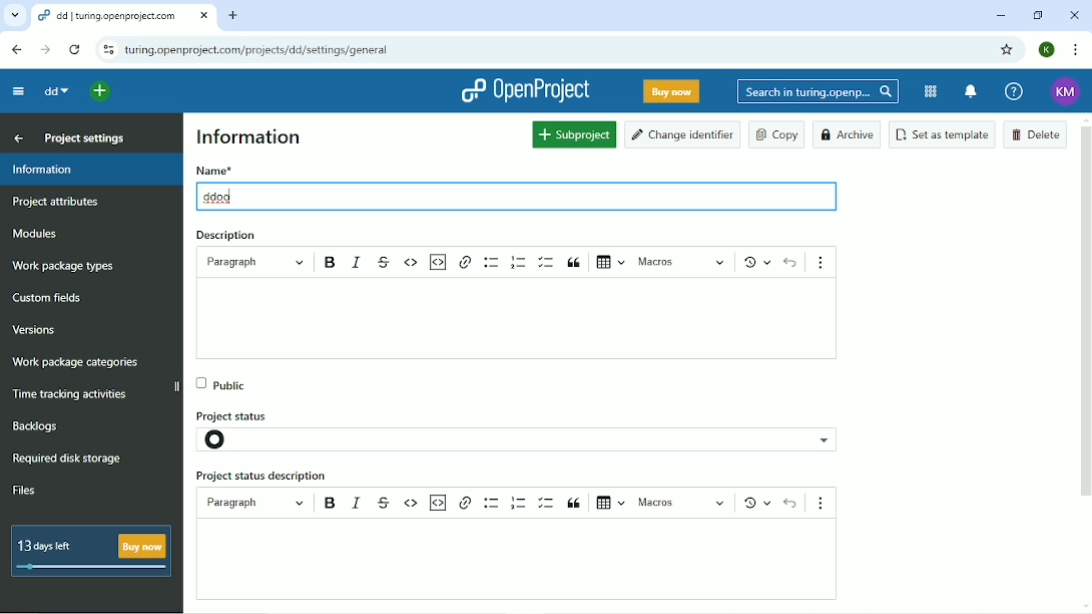 Image resolution: width=1092 pixels, height=614 pixels. Describe the element at coordinates (438, 262) in the screenshot. I see `Insert code snippet` at that location.